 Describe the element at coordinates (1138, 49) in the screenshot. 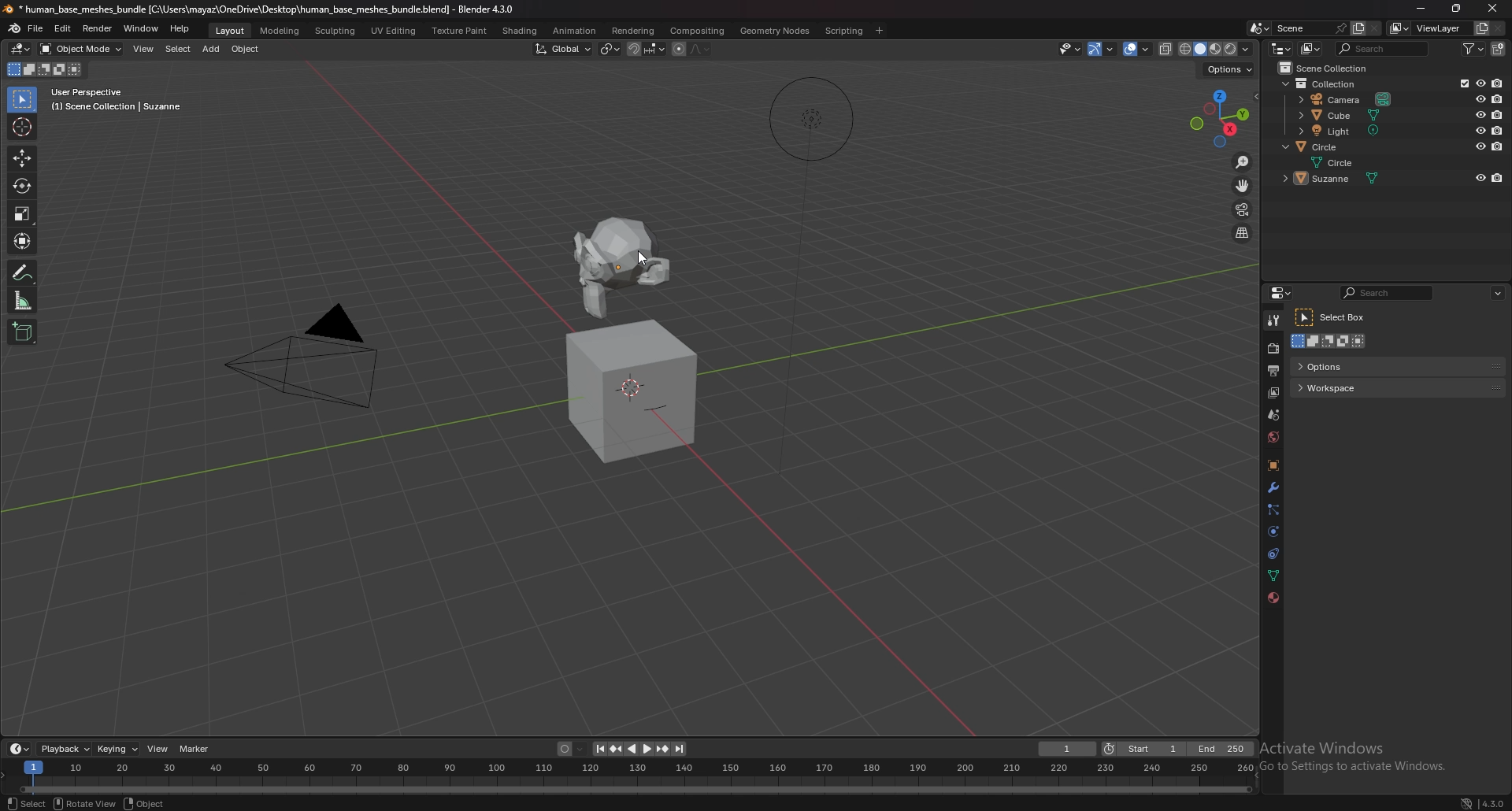

I see `overlays` at that location.